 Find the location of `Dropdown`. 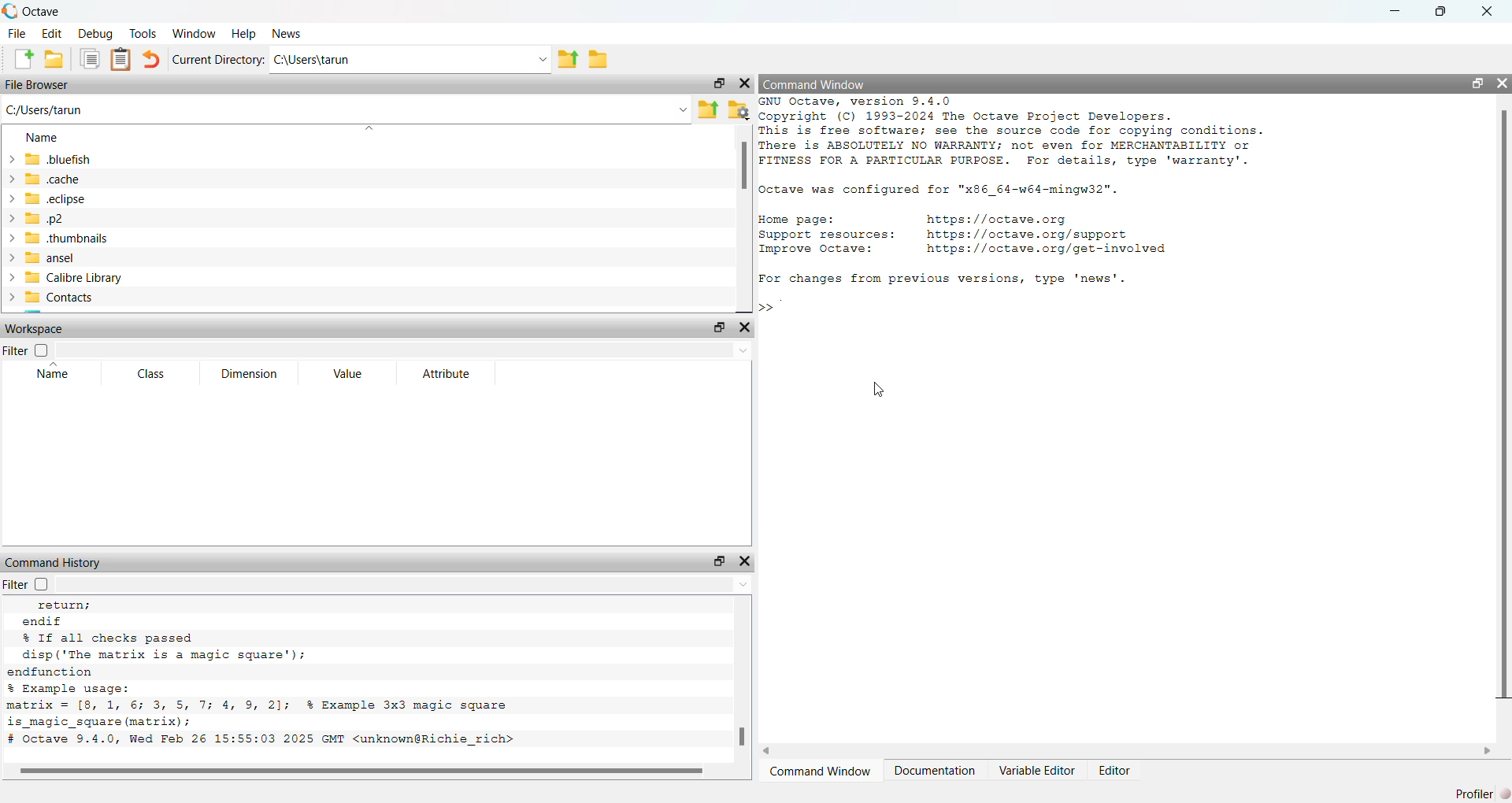

Dropdown is located at coordinates (541, 59).